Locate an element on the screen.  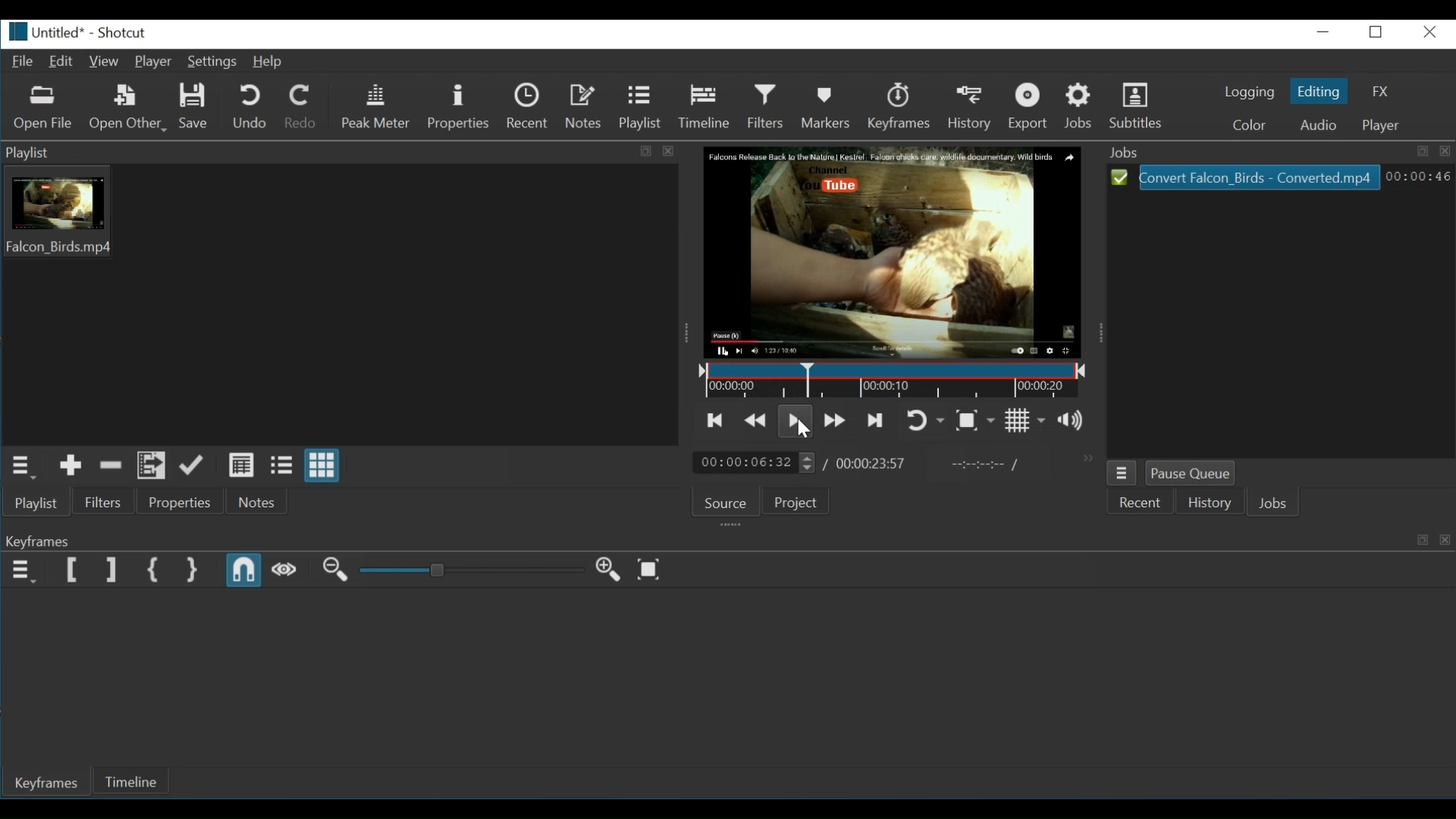
Keyframe menu is located at coordinates (22, 569).